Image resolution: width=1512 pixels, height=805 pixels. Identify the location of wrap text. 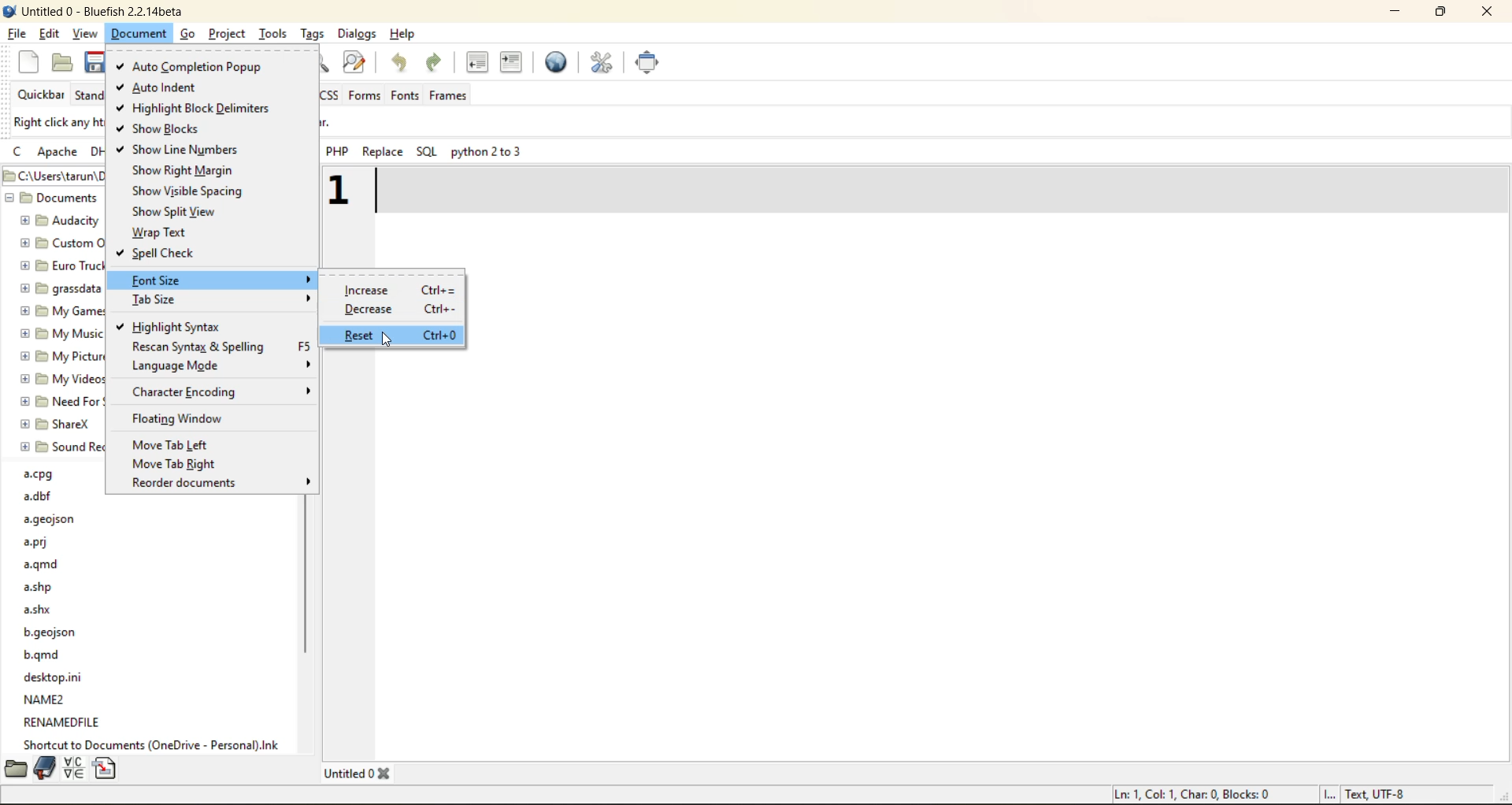
(168, 235).